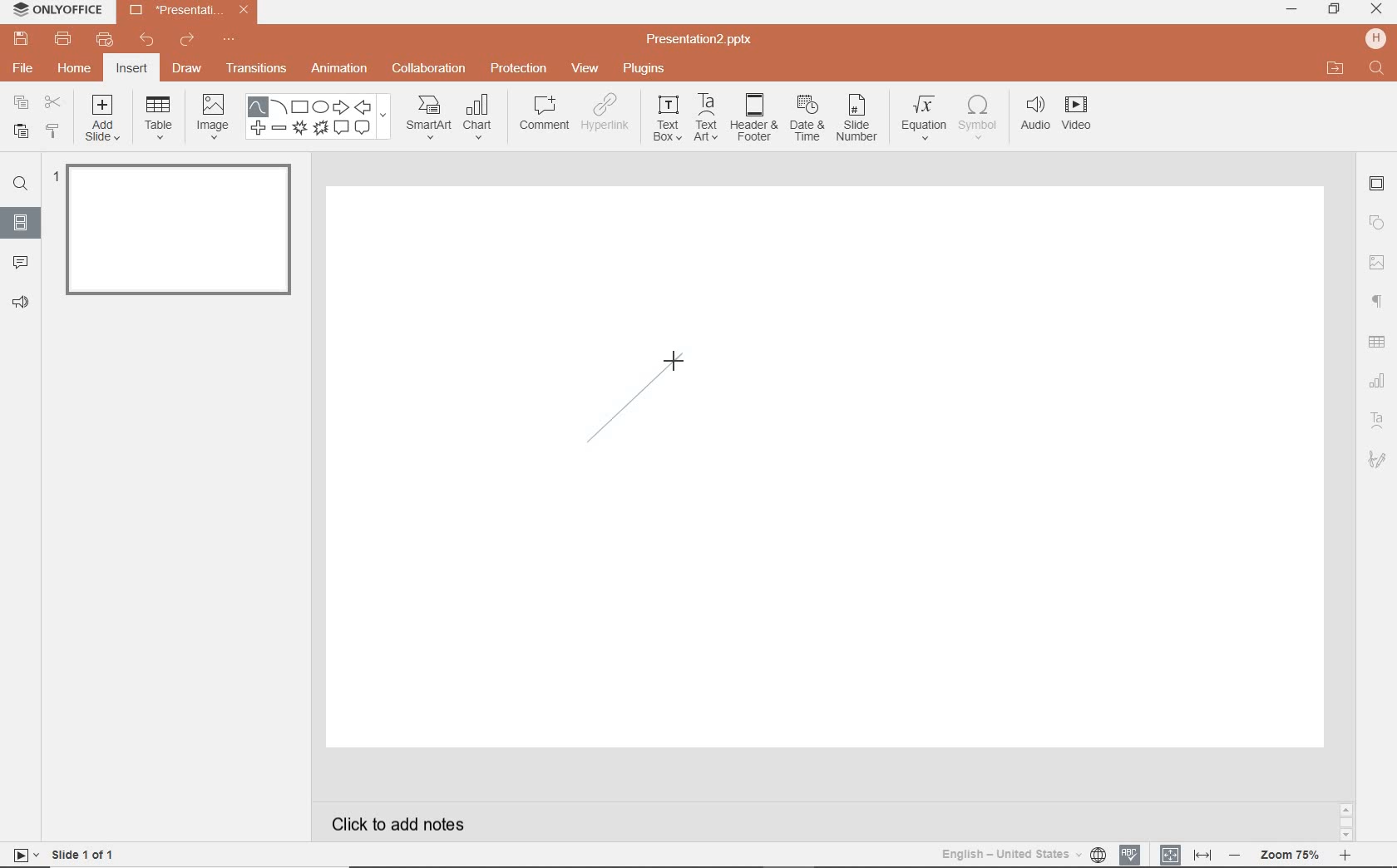 The height and width of the screenshot is (868, 1397). What do you see at coordinates (429, 67) in the screenshot?
I see `COLLABORATION` at bounding box center [429, 67].